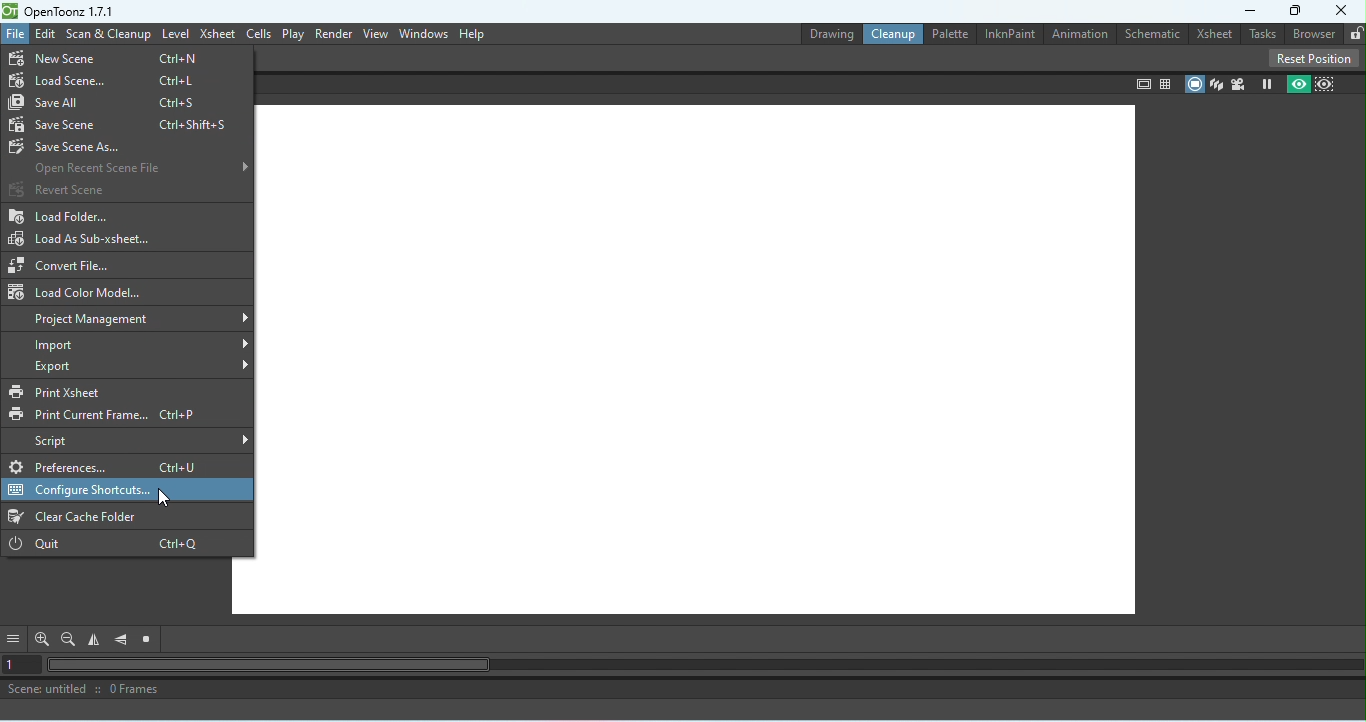 This screenshot has width=1366, height=722. I want to click on Animation, so click(1077, 31).